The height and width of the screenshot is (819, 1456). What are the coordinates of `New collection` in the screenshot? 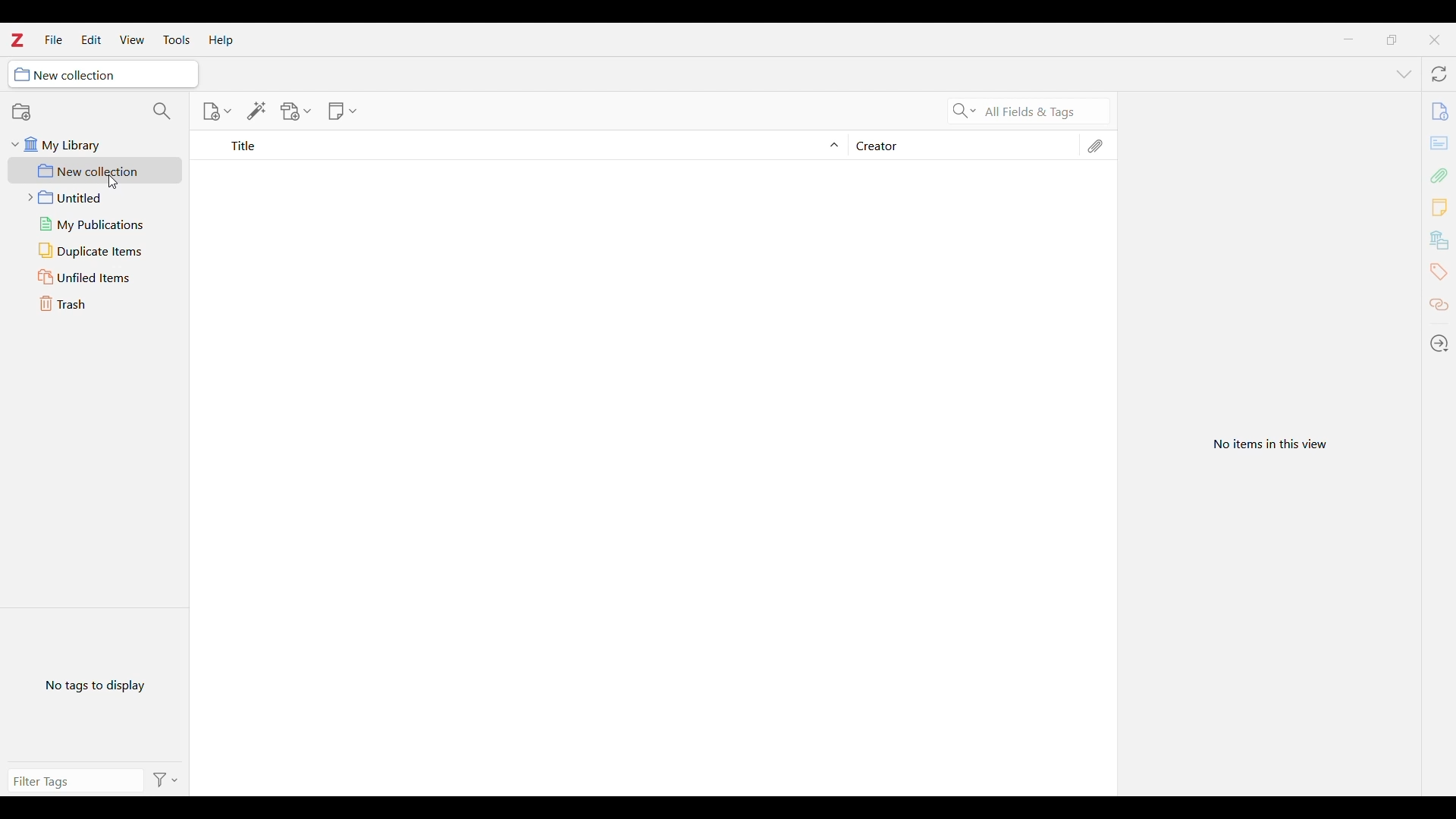 It's located at (22, 112).